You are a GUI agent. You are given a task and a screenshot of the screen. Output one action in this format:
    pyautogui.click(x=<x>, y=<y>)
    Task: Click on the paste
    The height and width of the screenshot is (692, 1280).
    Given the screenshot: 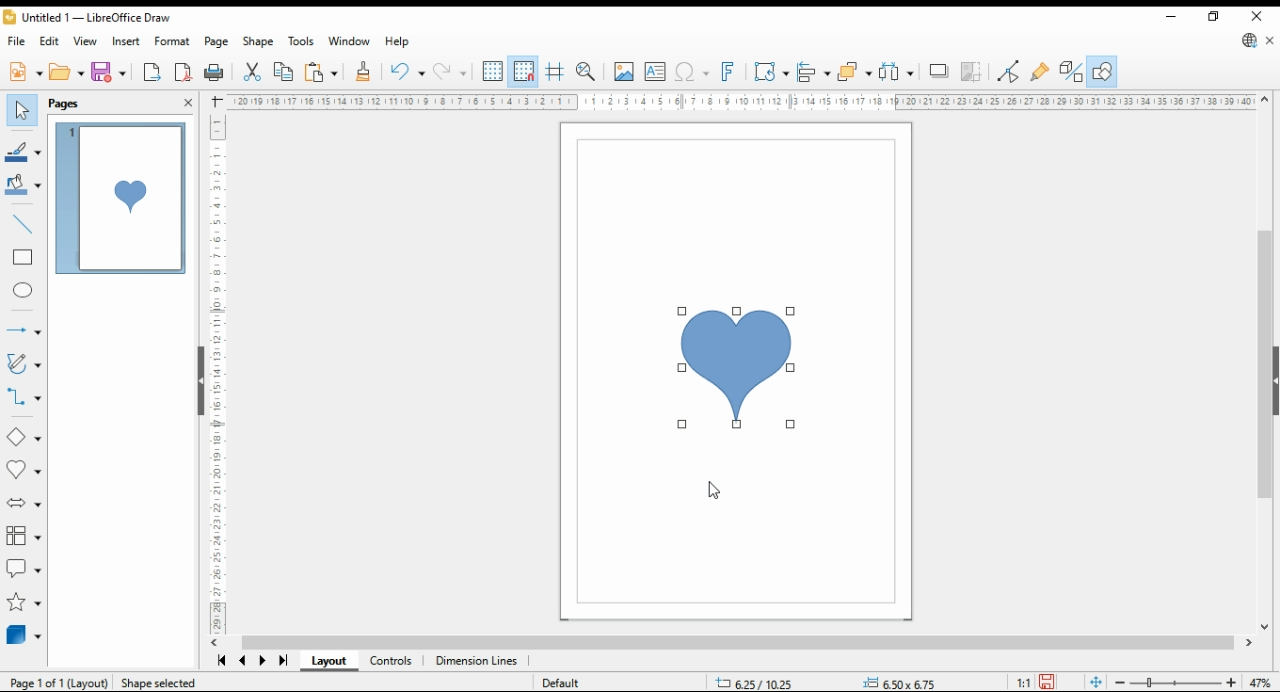 What is the action you would take?
    pyautogui.click(x=320, y=72)
    